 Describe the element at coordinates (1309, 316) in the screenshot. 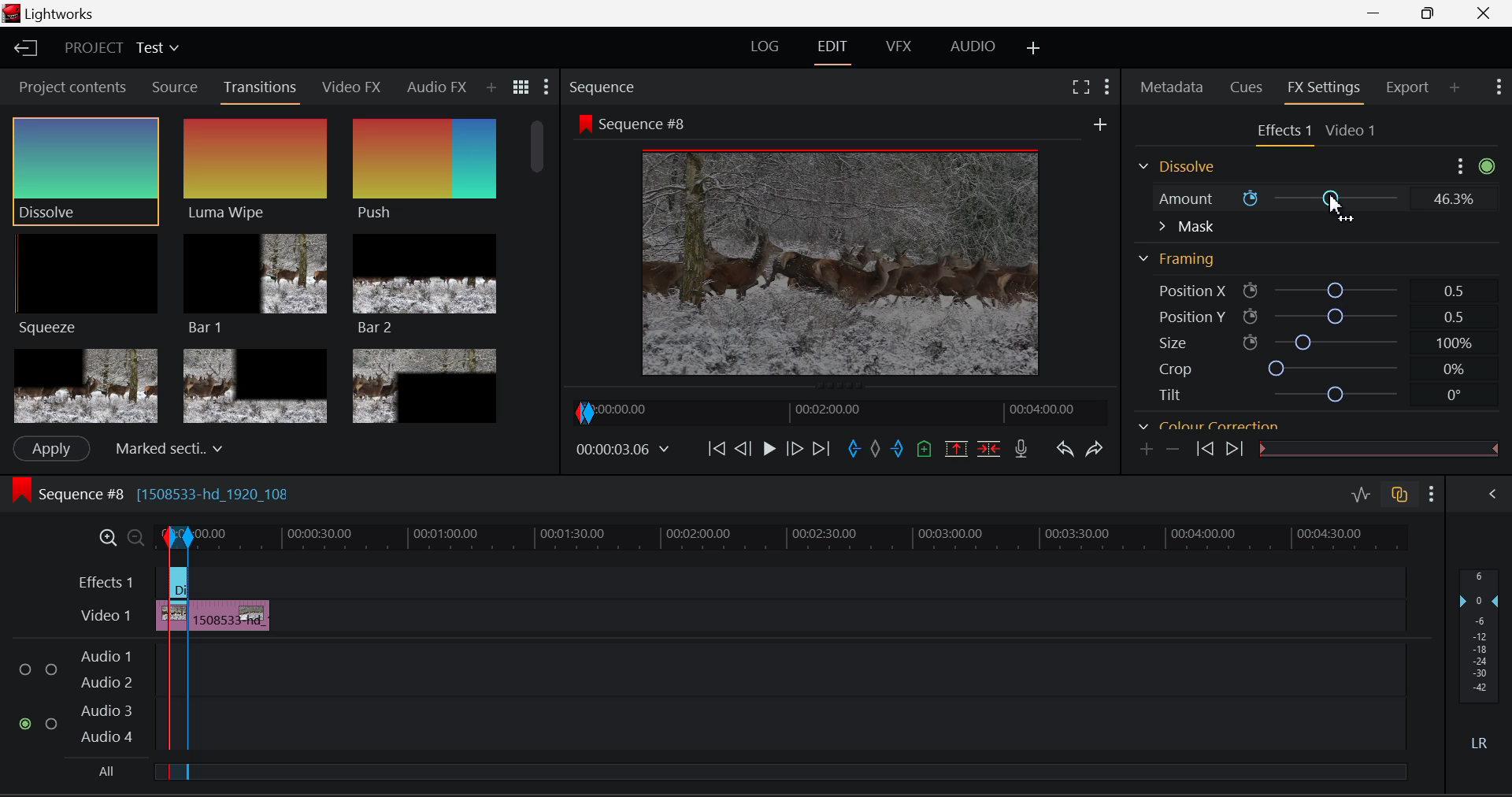

I see `Position Y` at that location.